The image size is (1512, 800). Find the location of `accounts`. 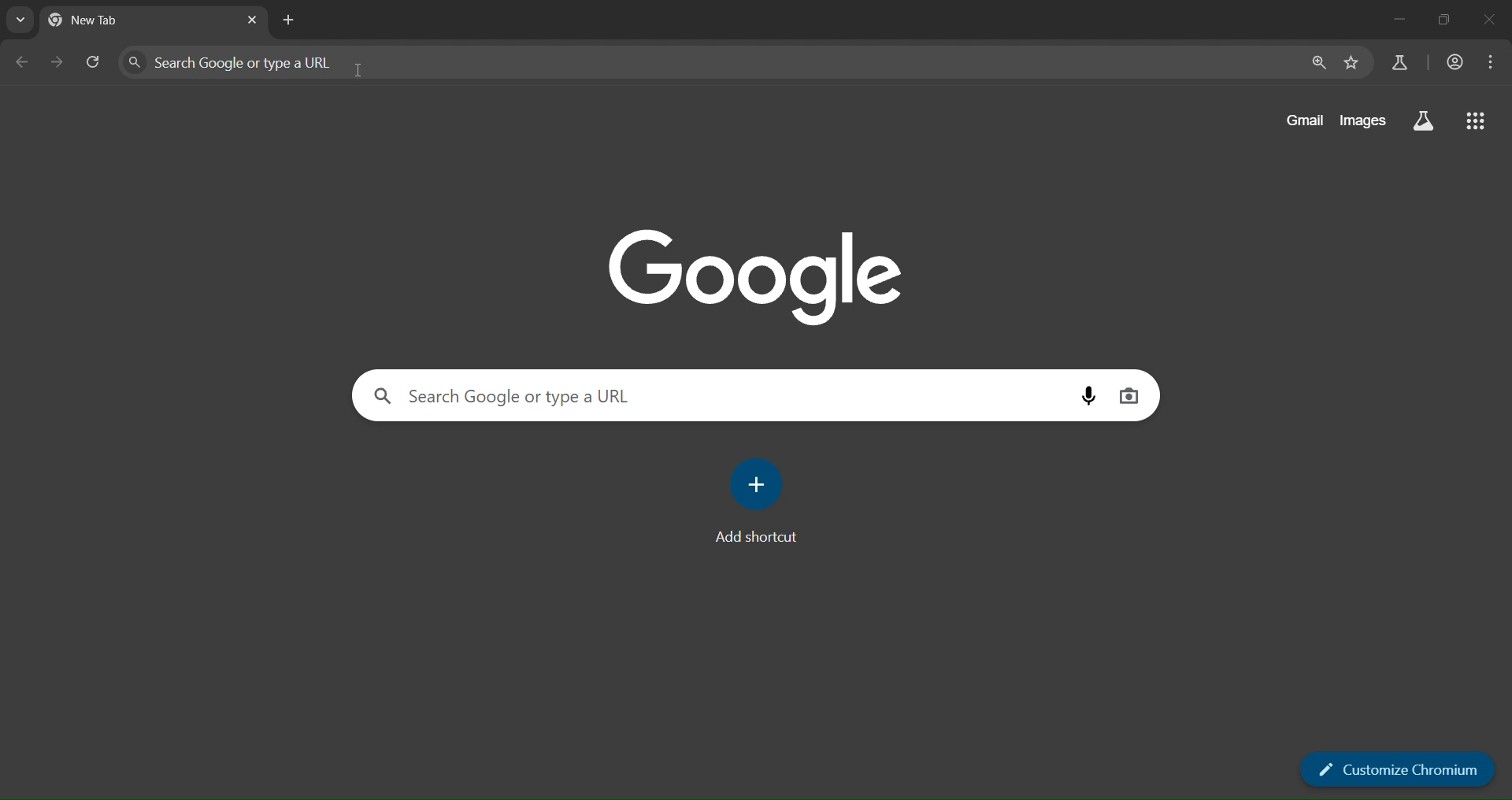

accounts is located at coordinates (1455, 61).